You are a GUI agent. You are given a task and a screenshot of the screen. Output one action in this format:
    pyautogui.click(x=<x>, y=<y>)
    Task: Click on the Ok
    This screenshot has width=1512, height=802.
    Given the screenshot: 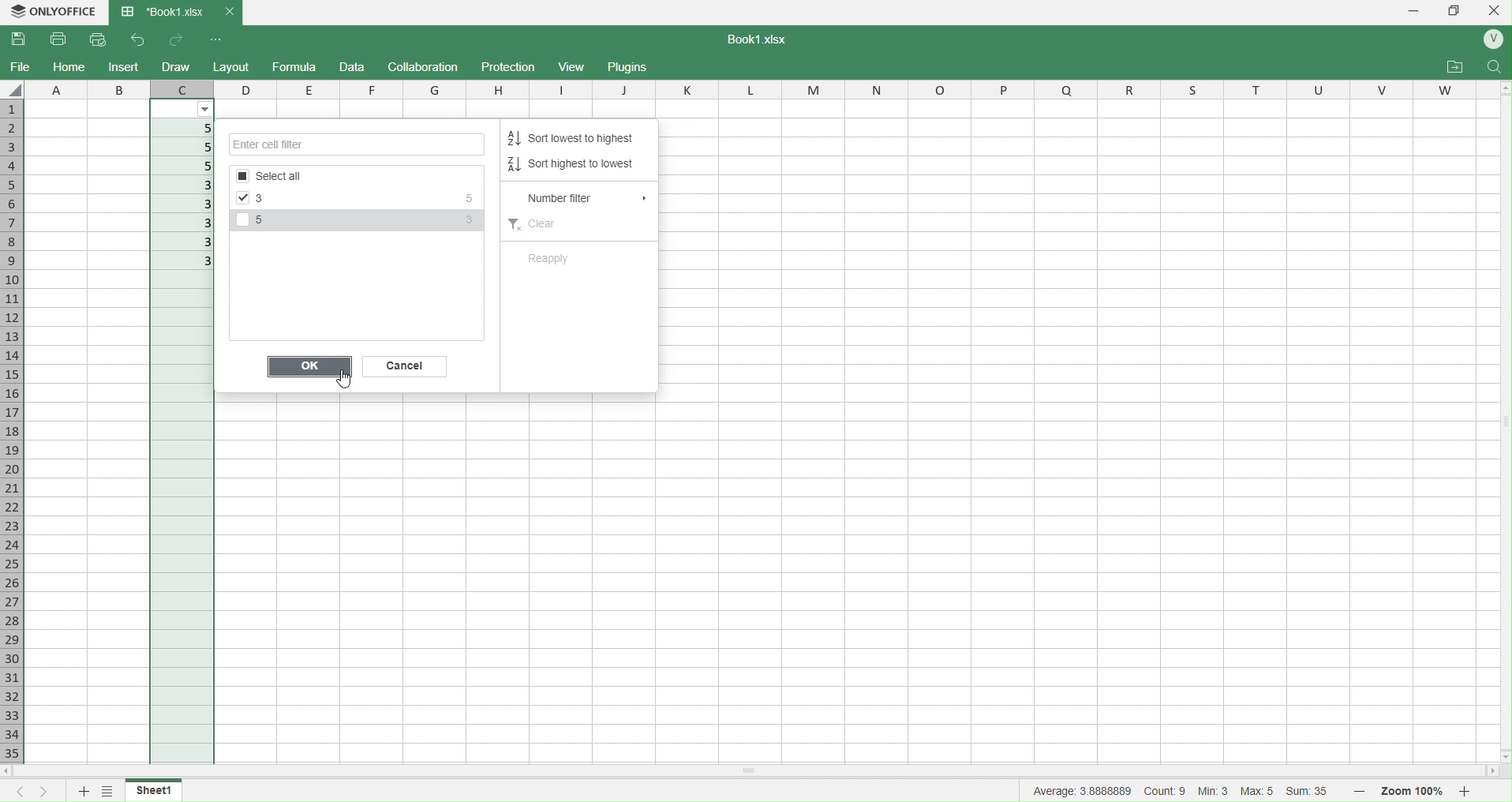 What is the action you would take?
    pyautogui.click(x=309, y=369)
    